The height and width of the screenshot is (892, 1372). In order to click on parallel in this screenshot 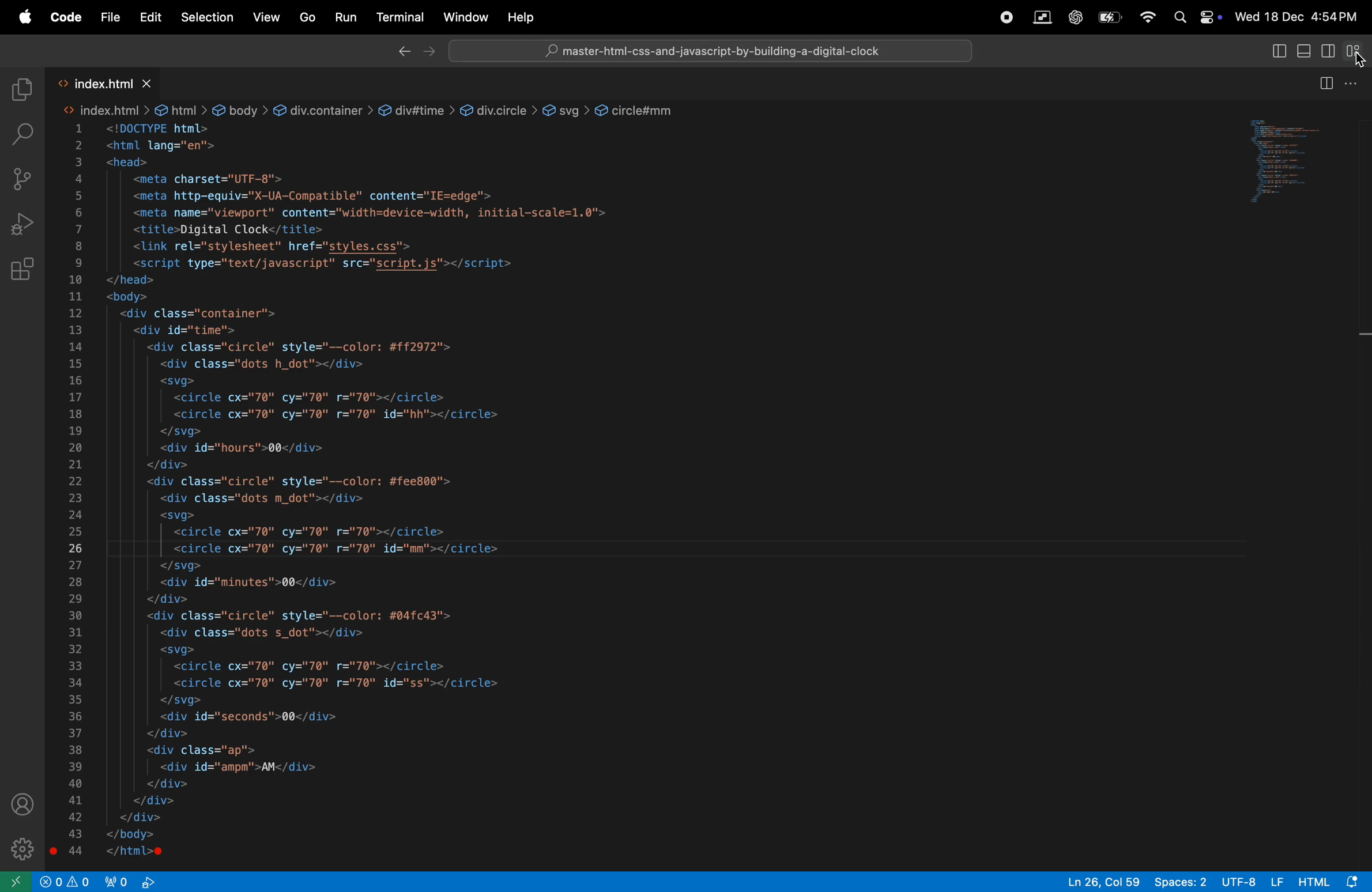, I will do `click(1042, 17)`.